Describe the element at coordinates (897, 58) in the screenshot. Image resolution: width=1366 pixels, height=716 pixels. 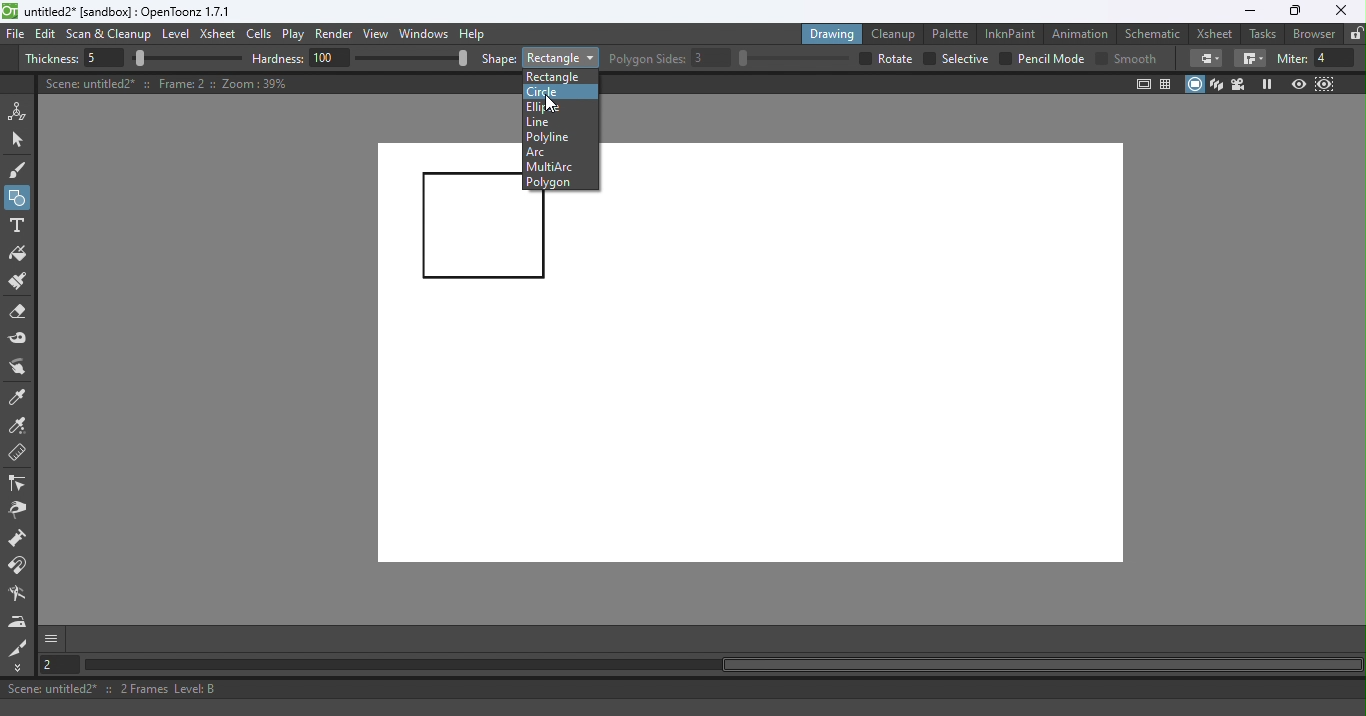
I see `over all` at that location.